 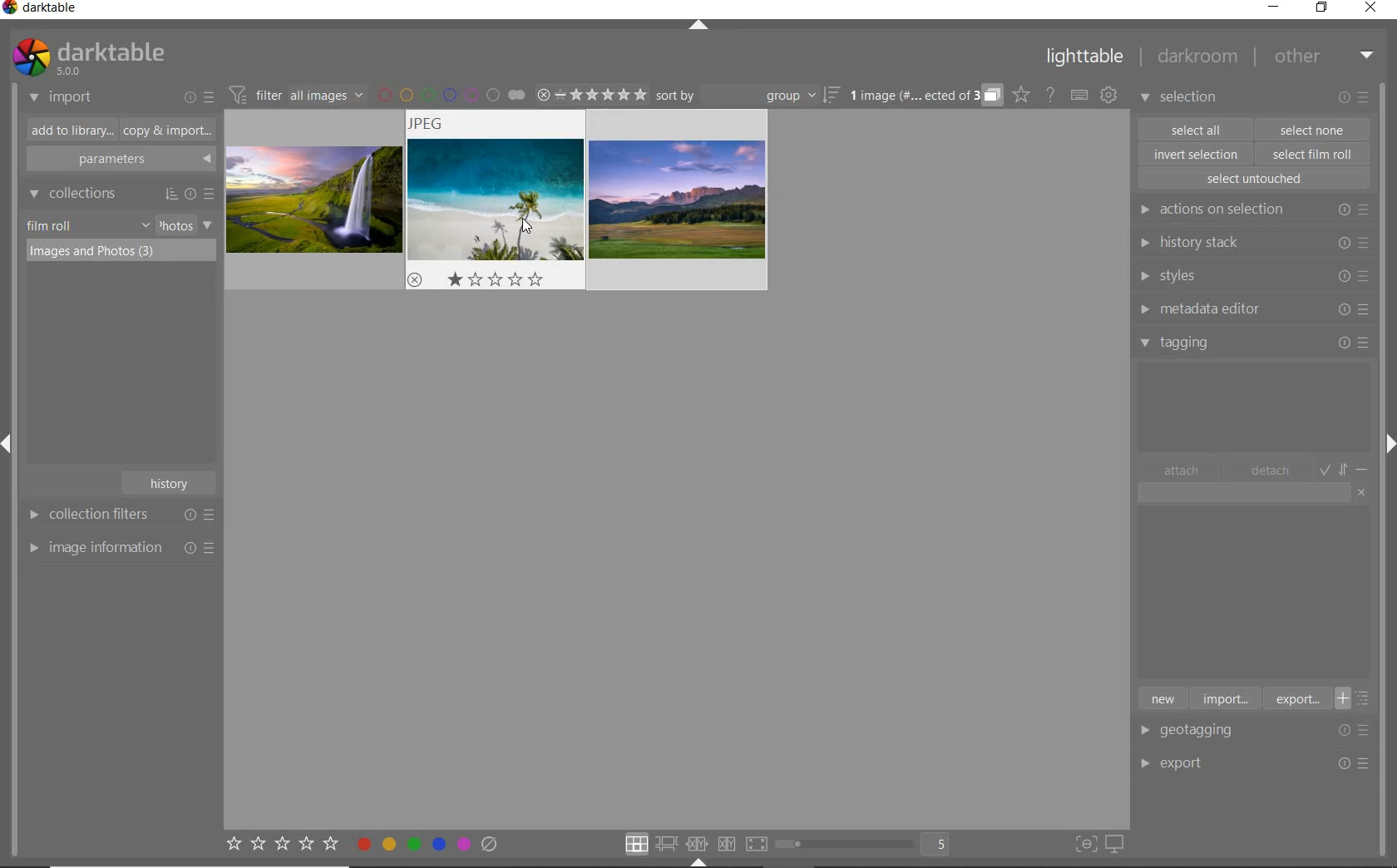 I want to click on import or presets & preferences, so click(x=199, y=96).